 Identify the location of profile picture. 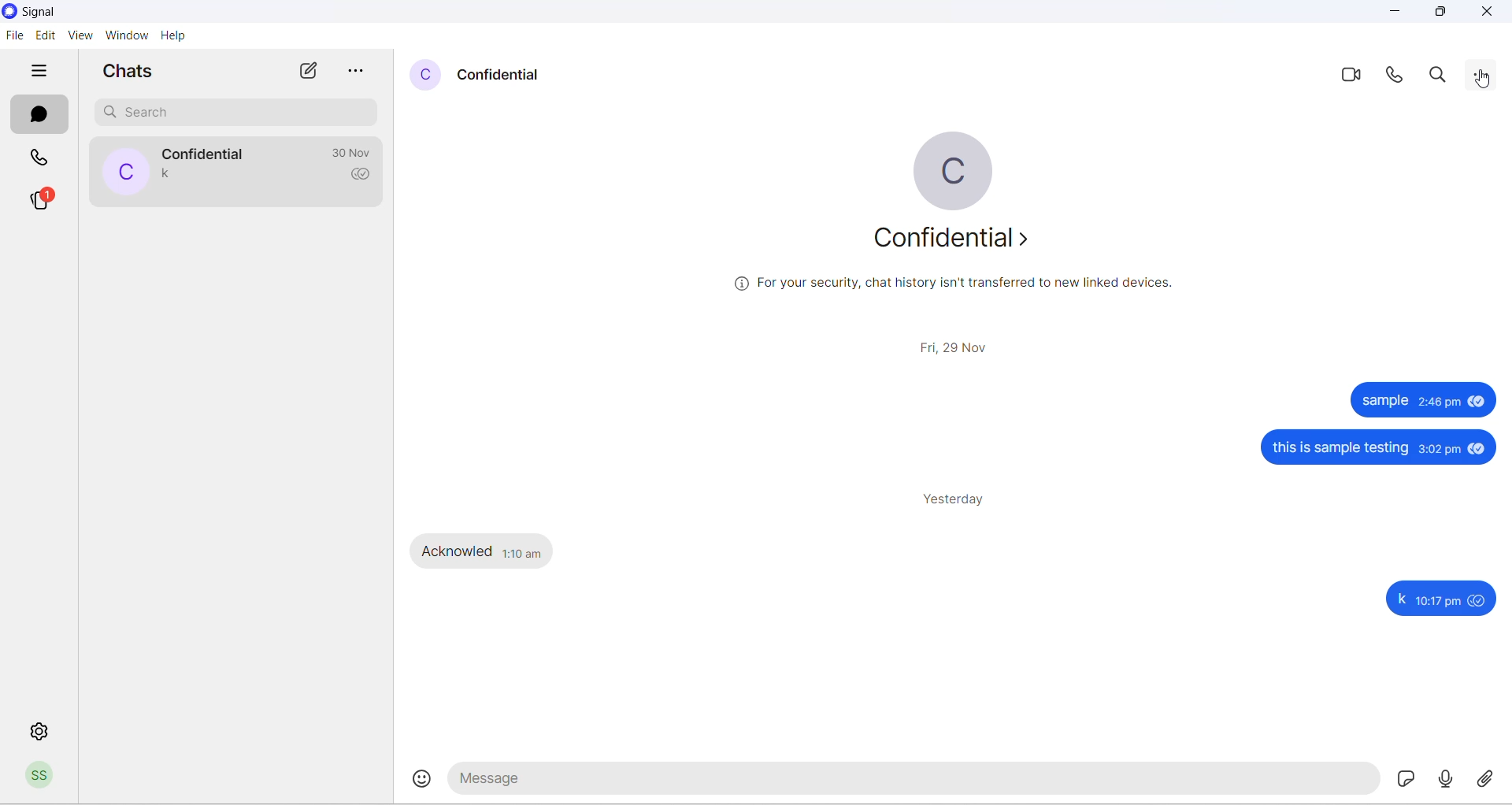
(124, 170).